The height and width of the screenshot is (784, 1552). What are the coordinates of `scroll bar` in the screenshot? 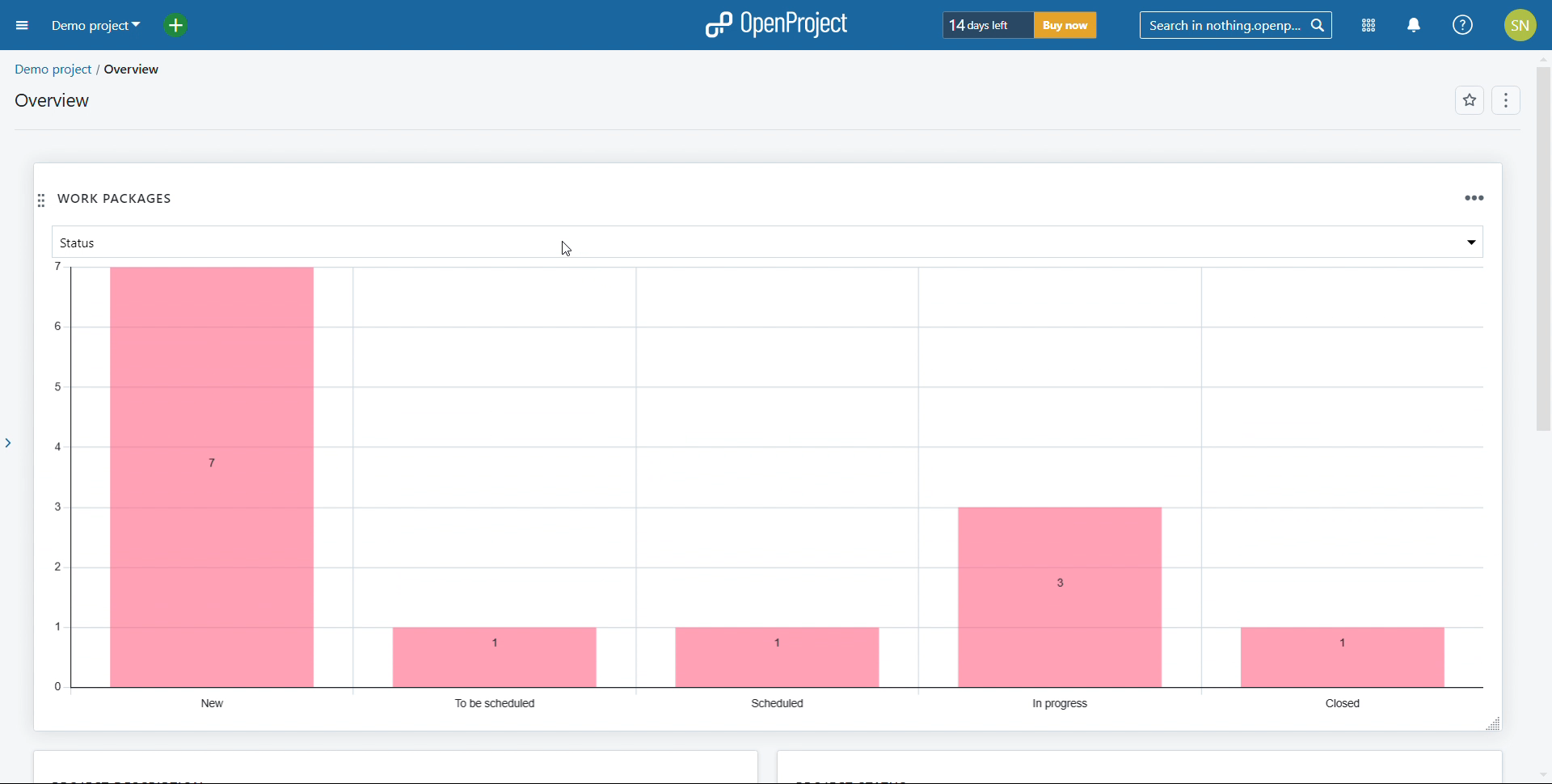 It's located at (1542, 234).